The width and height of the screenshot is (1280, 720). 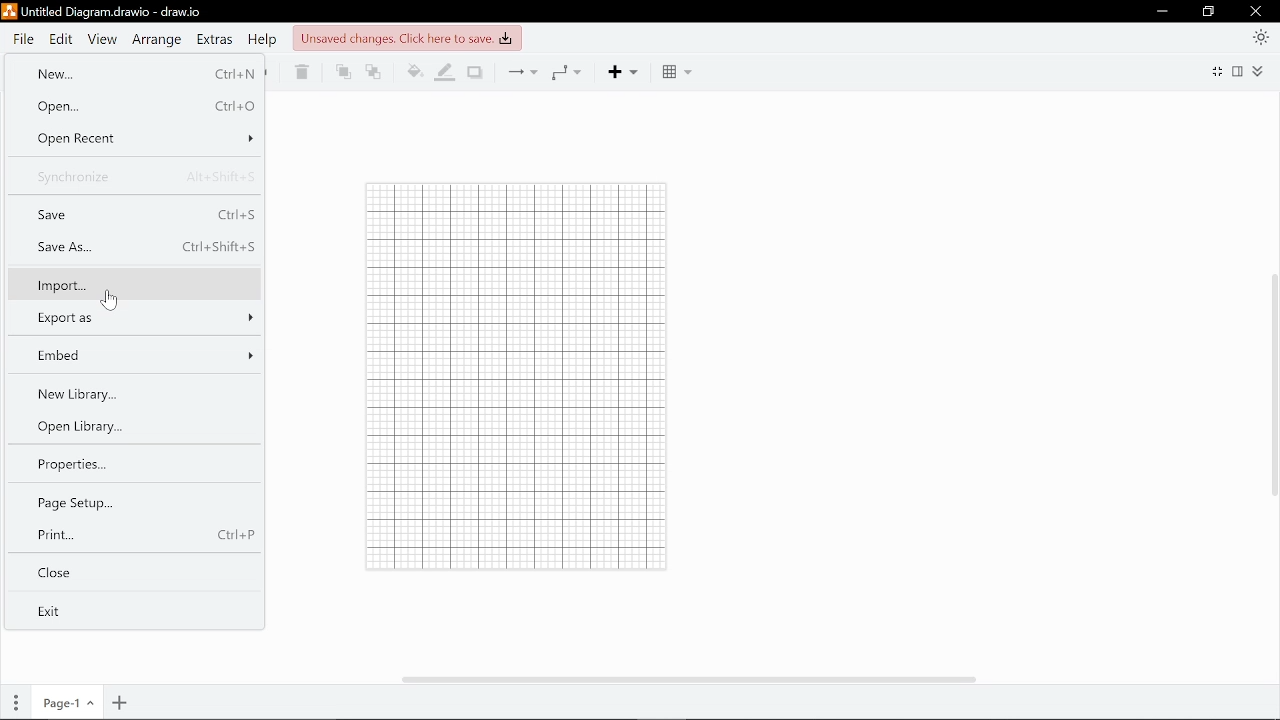 What do you see at coordinates (133, 247) in the screenshot?
I see `Save As` at bounding box center [133, 247].